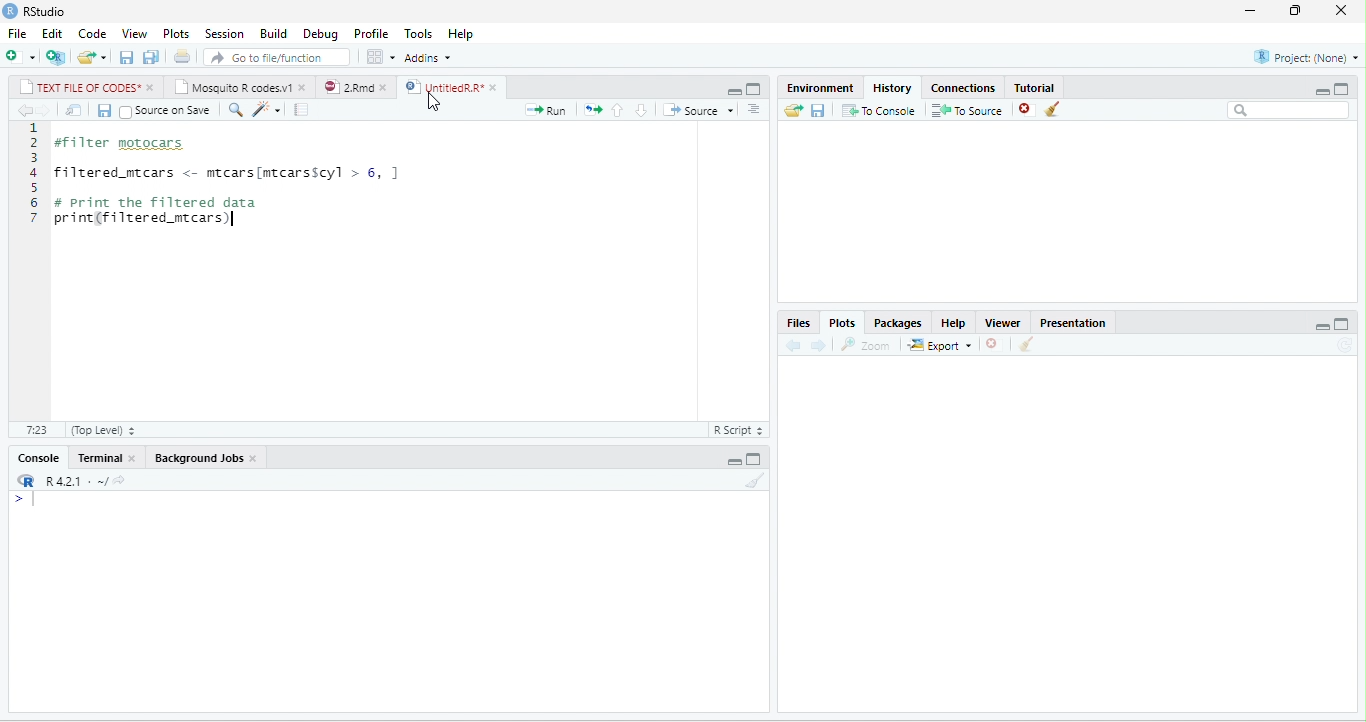  Describe the element at coordinates (129, 144) in the screenshot. I see `#filter motocars` at that location.